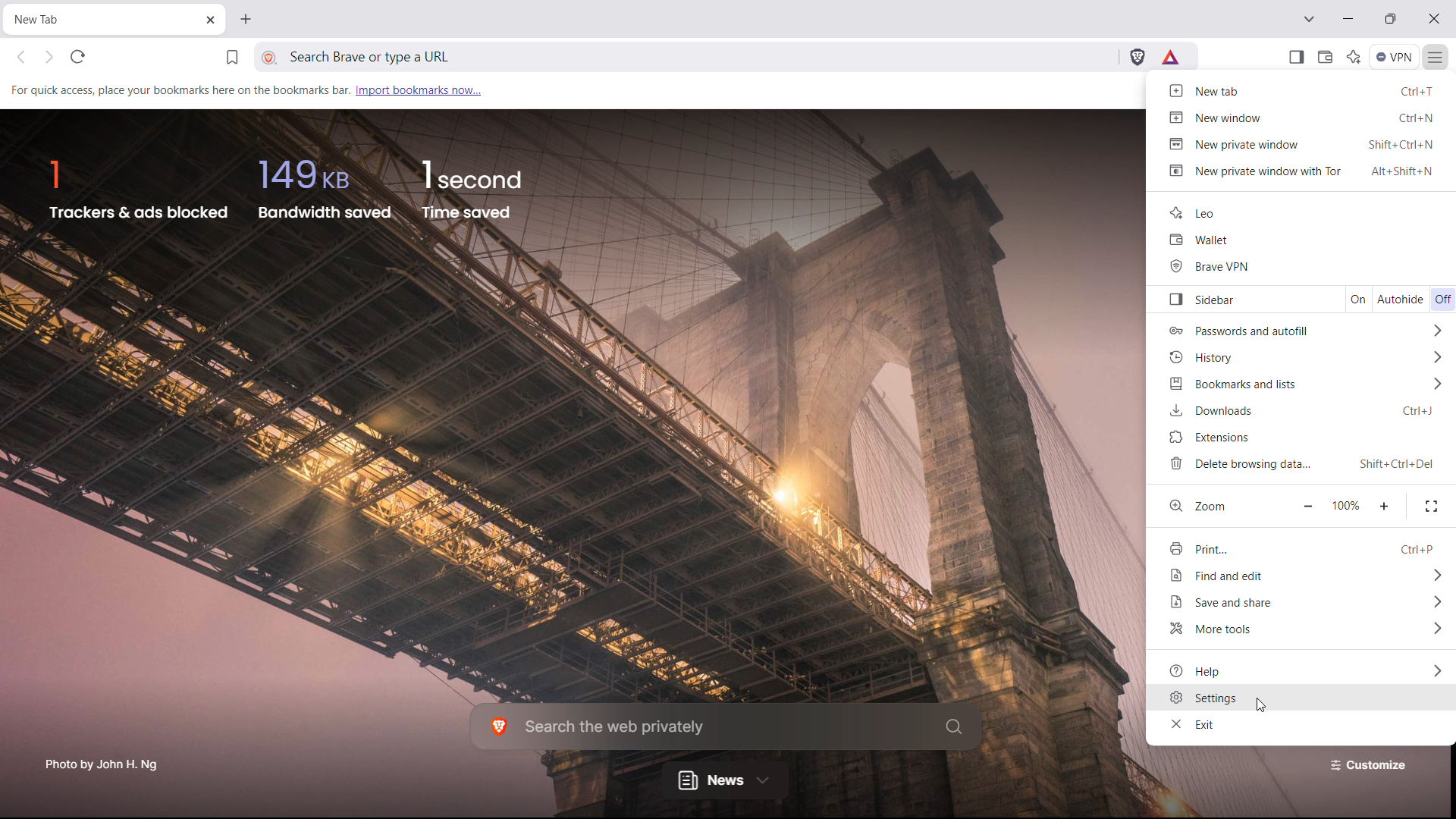 This screenshot has height=819, width=1456. I want to click on close, so click(1436, 18).